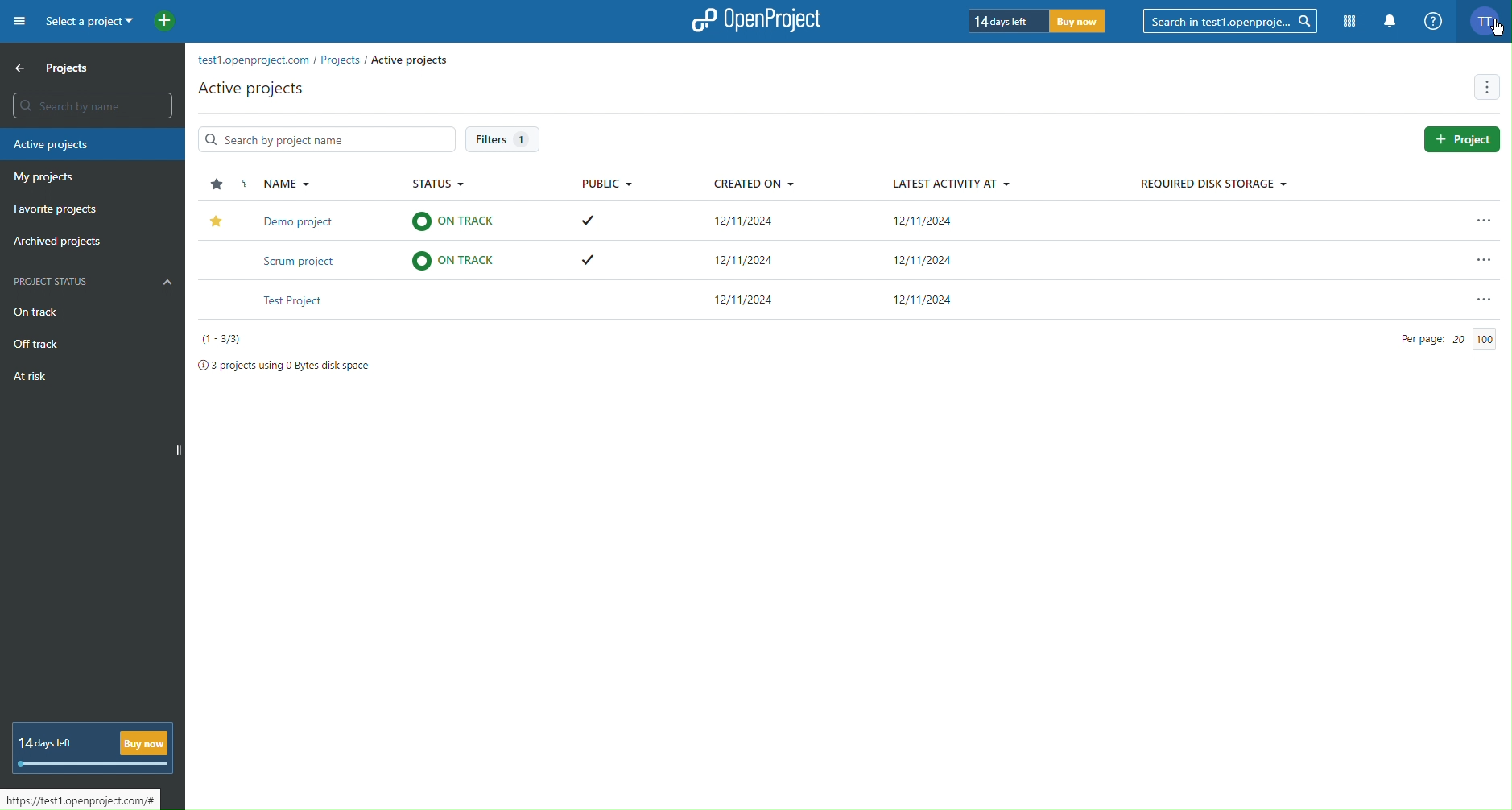 The width and height of the screenshot is (1512, 810). Describe the element at coordinates (303, 261) in the screenshot. I see `Scrum Project` at that location.